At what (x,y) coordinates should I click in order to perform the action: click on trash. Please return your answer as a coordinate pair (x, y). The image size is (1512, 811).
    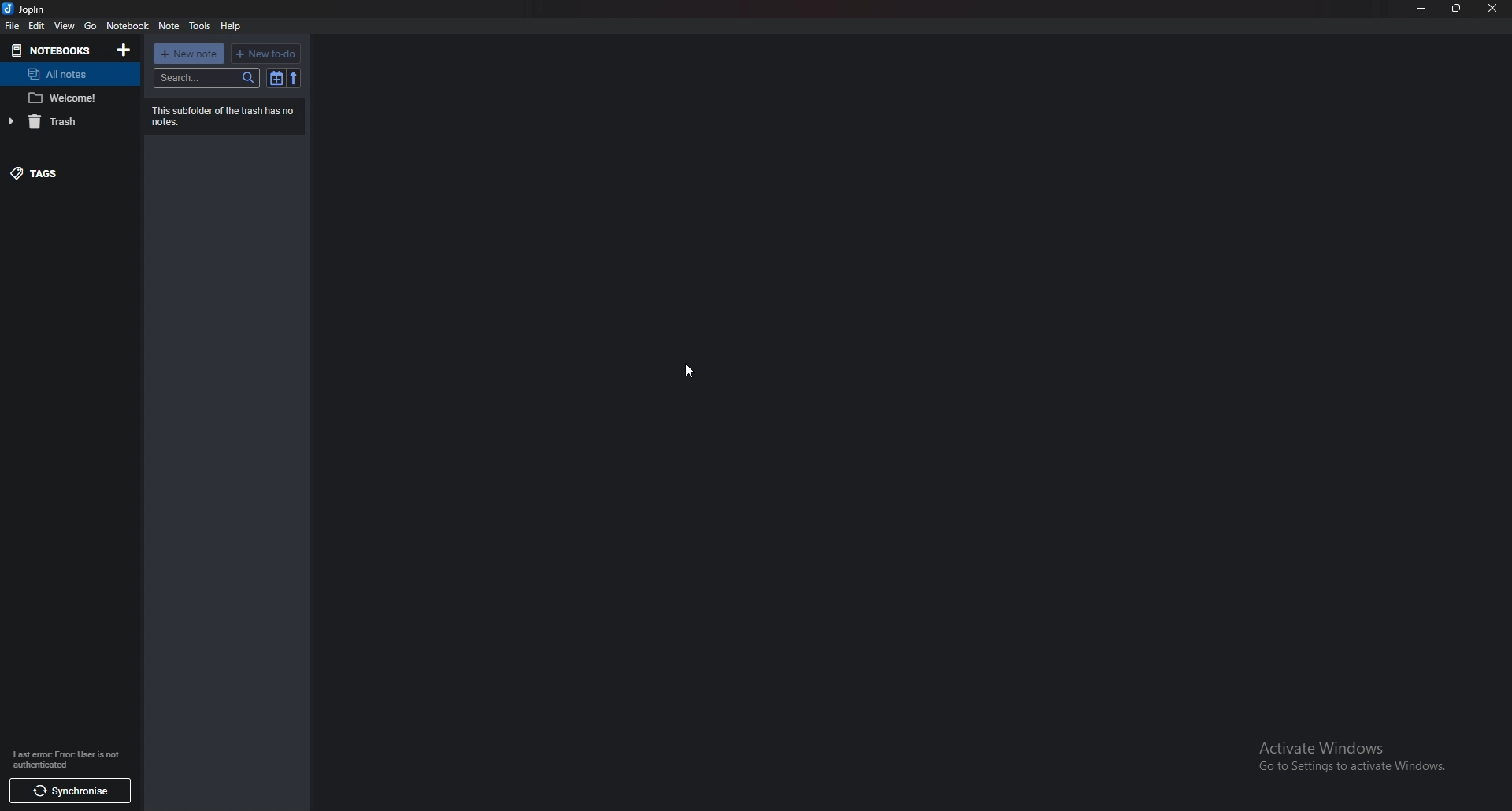
    Looking at the image, I should click on (63, 120).